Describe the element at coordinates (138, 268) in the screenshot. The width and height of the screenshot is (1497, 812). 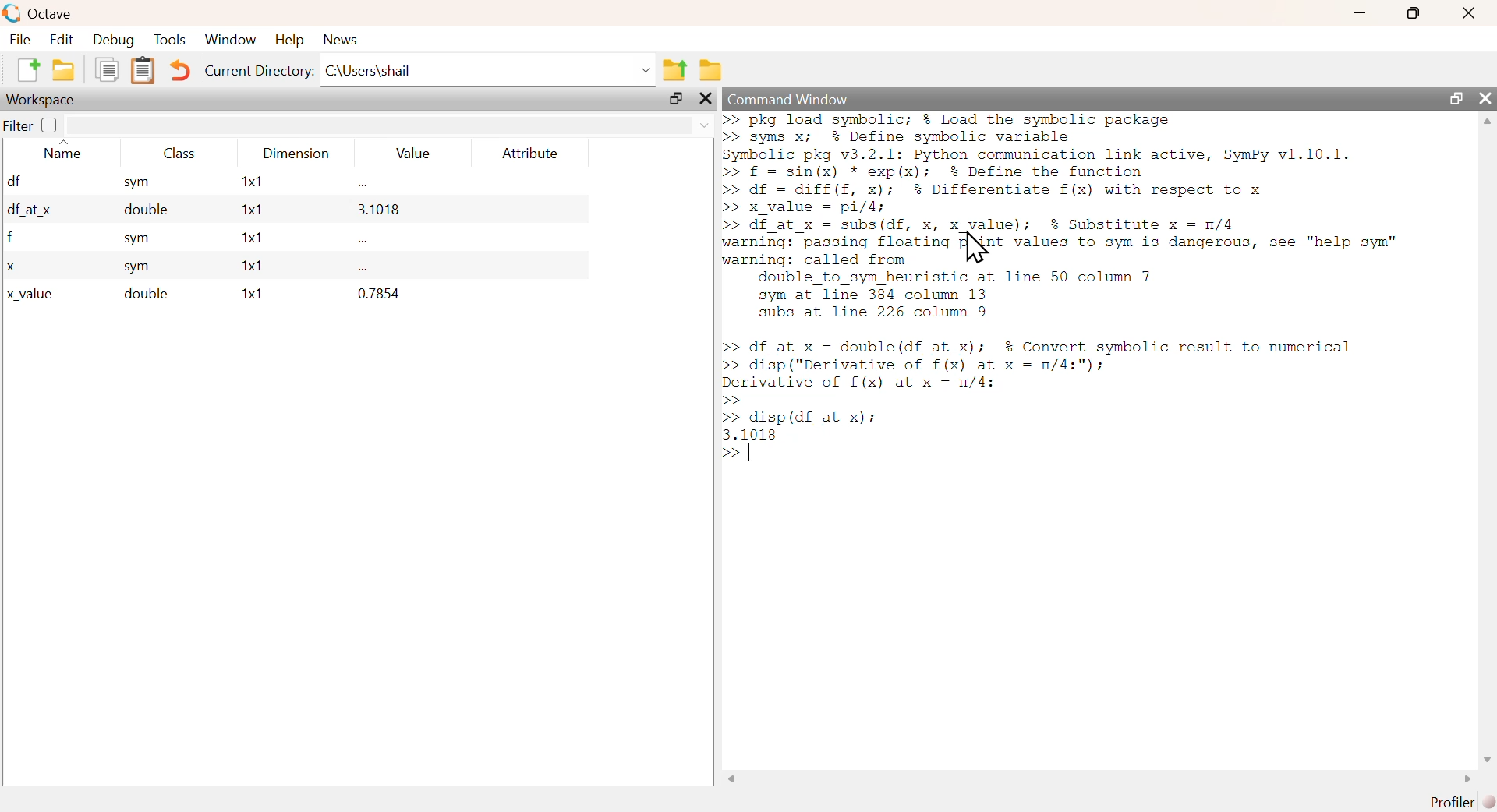
I see `sym` at that location.